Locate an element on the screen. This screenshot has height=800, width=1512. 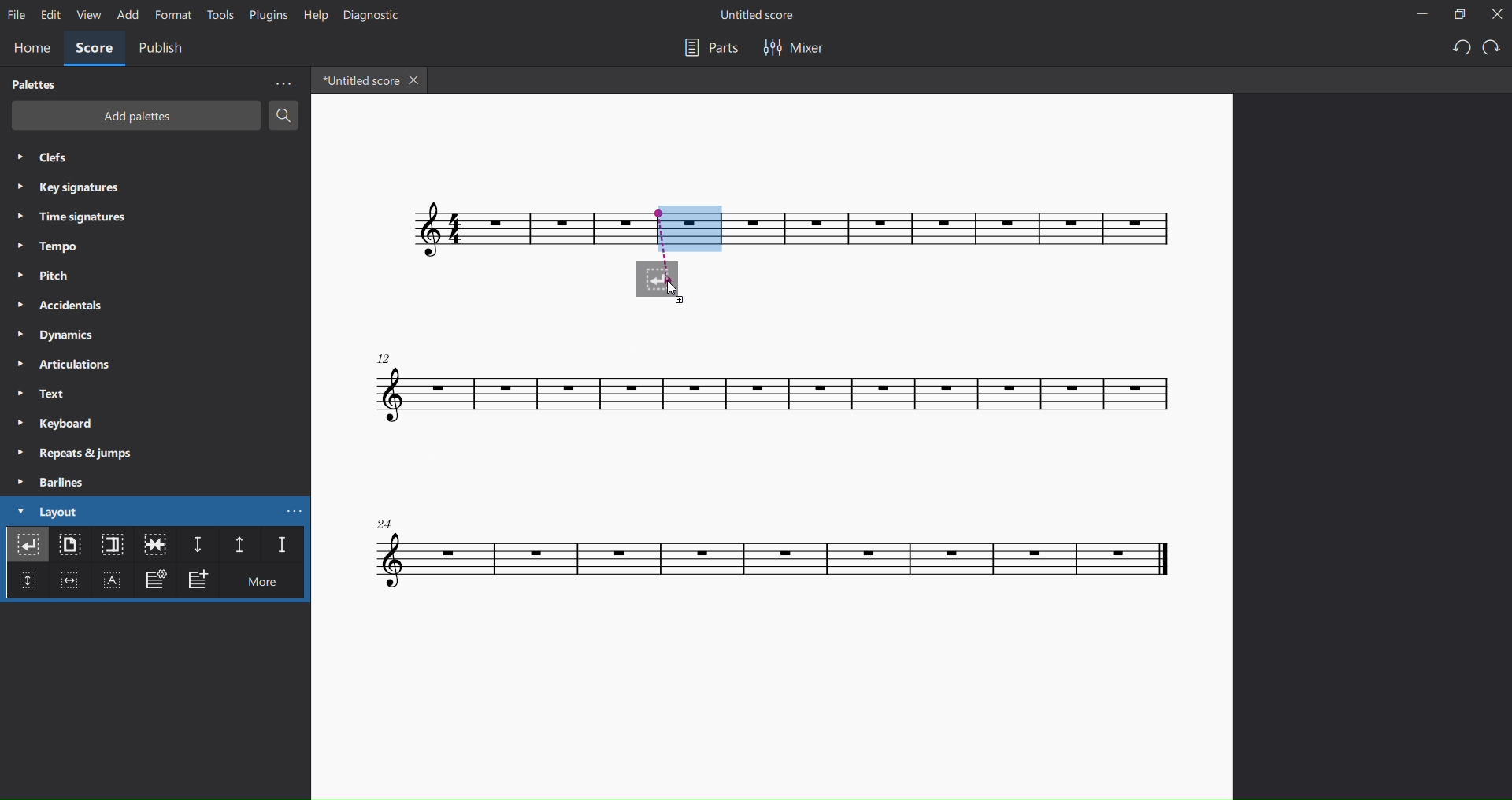
more layout options is located at coordinates (298, 510).